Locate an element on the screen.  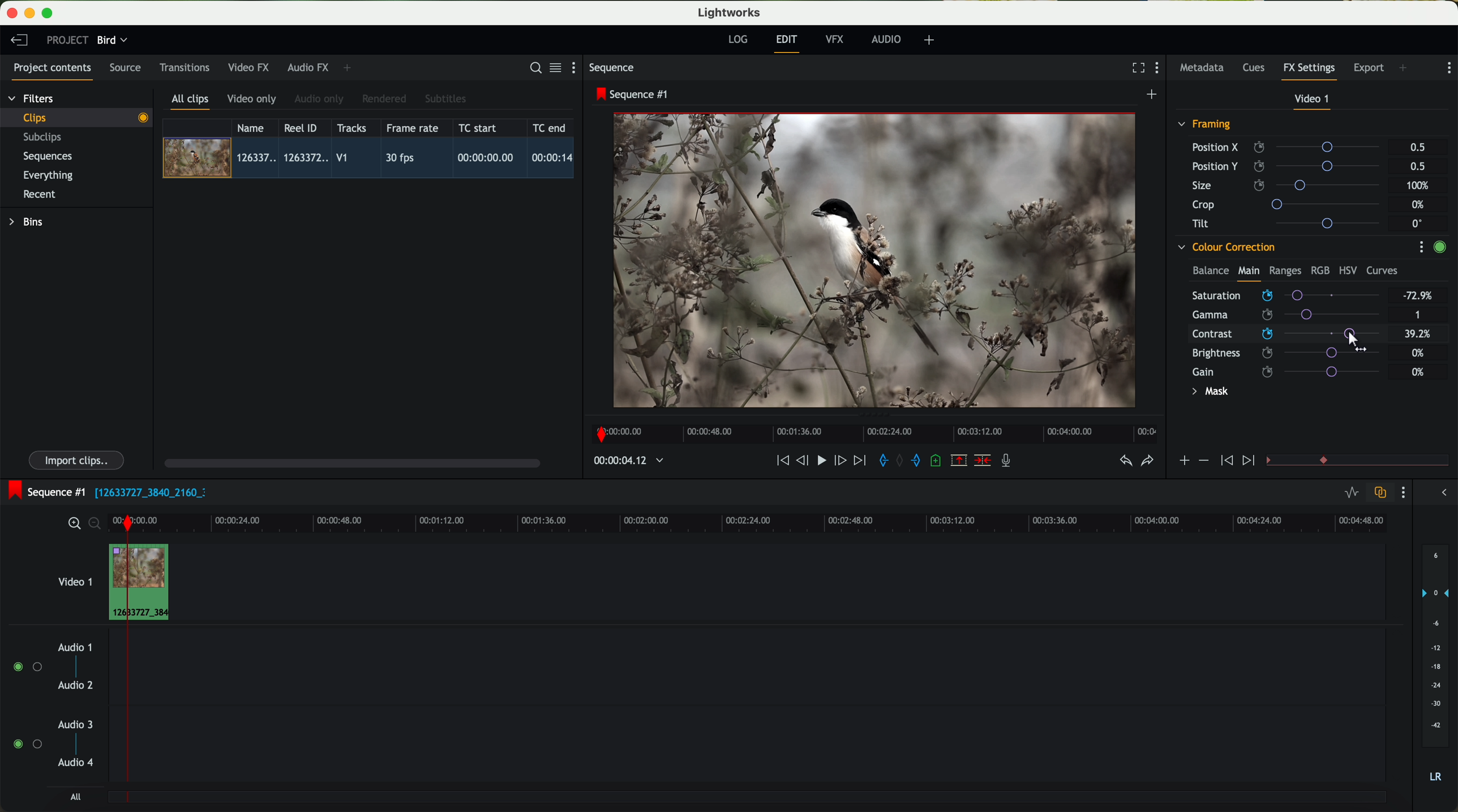
TC end is located at coordinates (550, 127).